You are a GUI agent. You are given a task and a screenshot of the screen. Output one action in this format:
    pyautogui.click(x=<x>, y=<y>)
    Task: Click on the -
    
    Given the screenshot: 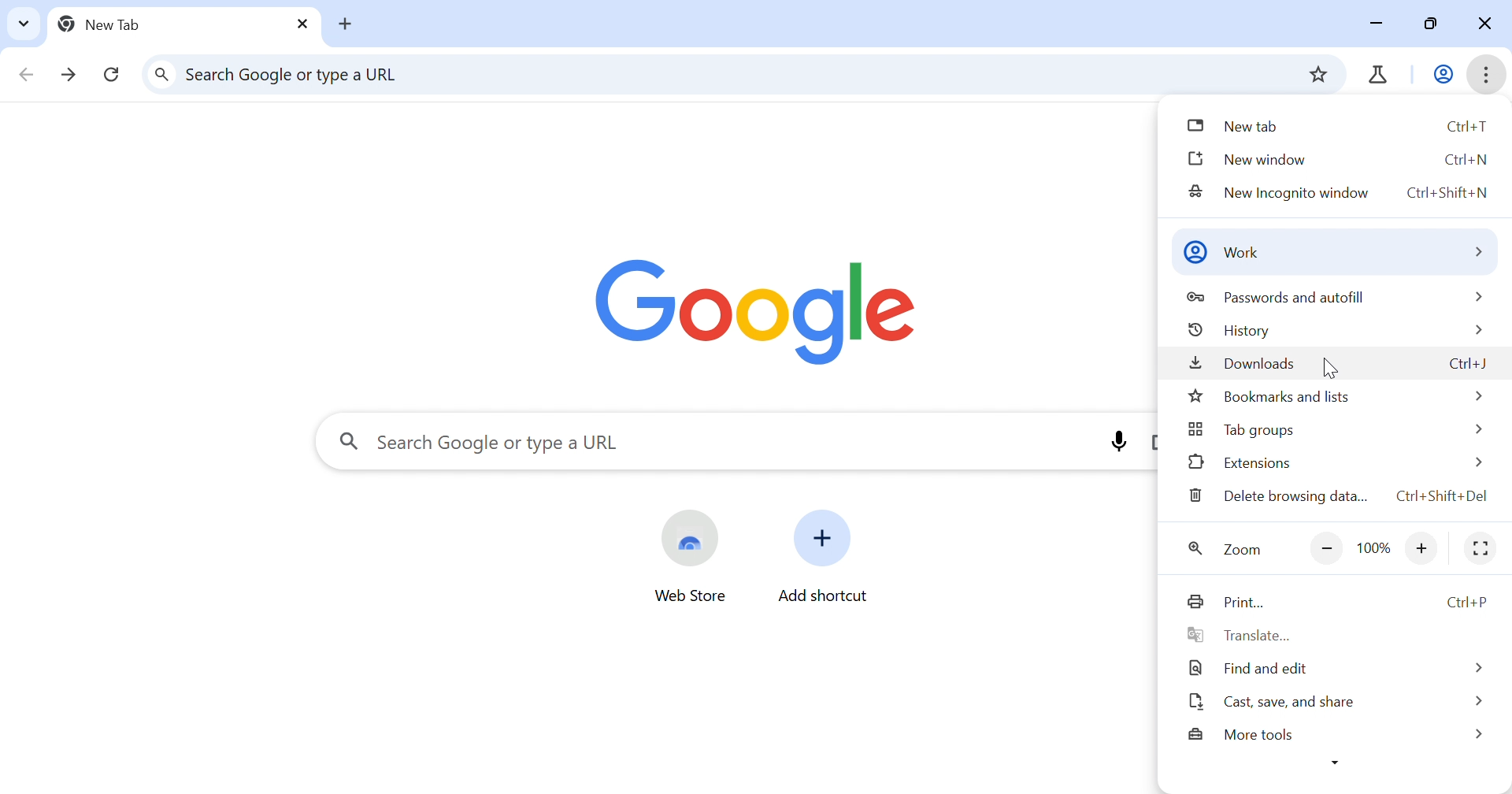 What is the action you would take?
    pyautogui.click(x=1327, y=551)
    